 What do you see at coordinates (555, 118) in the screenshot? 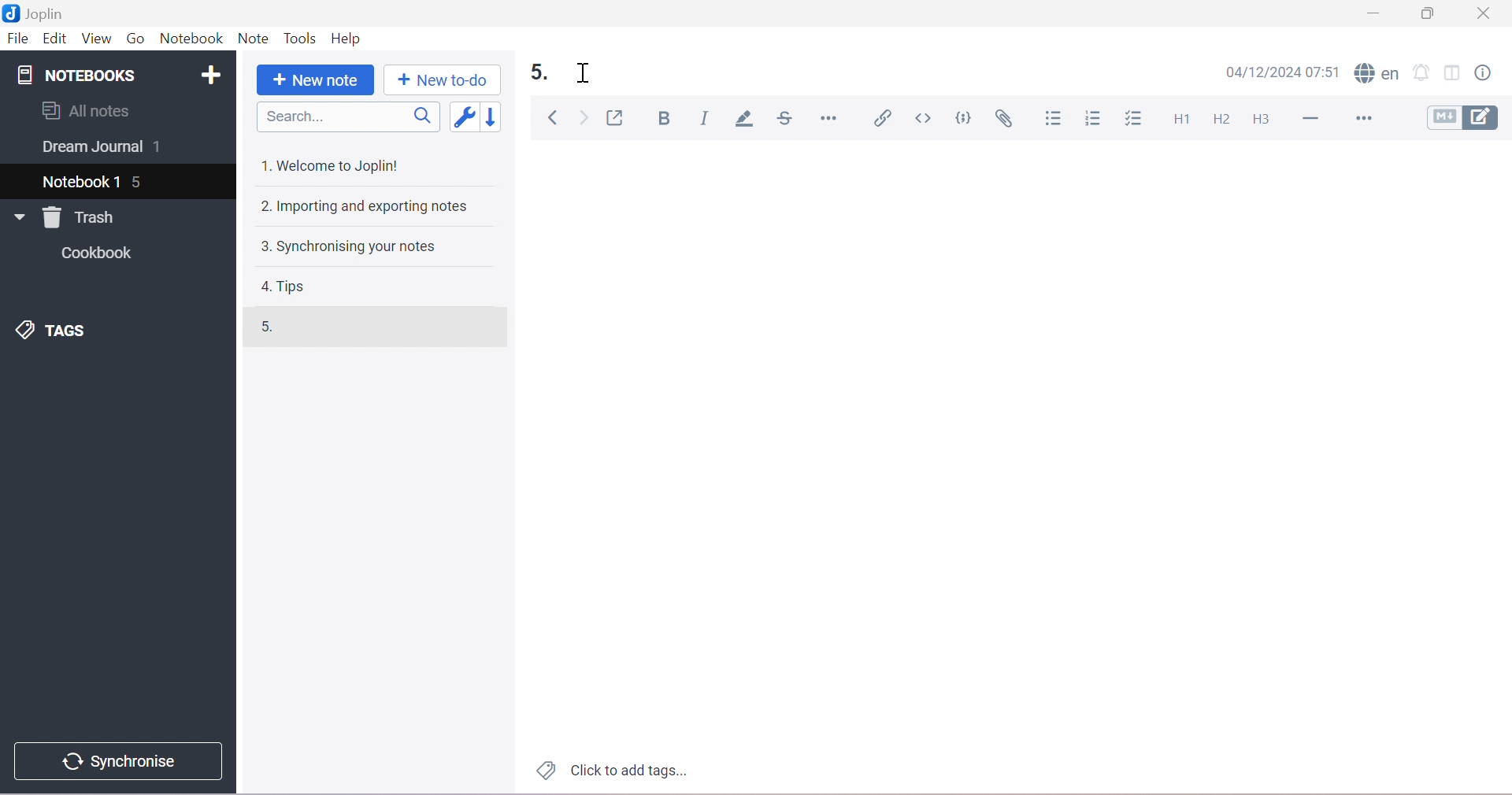
I see `Back` at bounding box center [555, 118].